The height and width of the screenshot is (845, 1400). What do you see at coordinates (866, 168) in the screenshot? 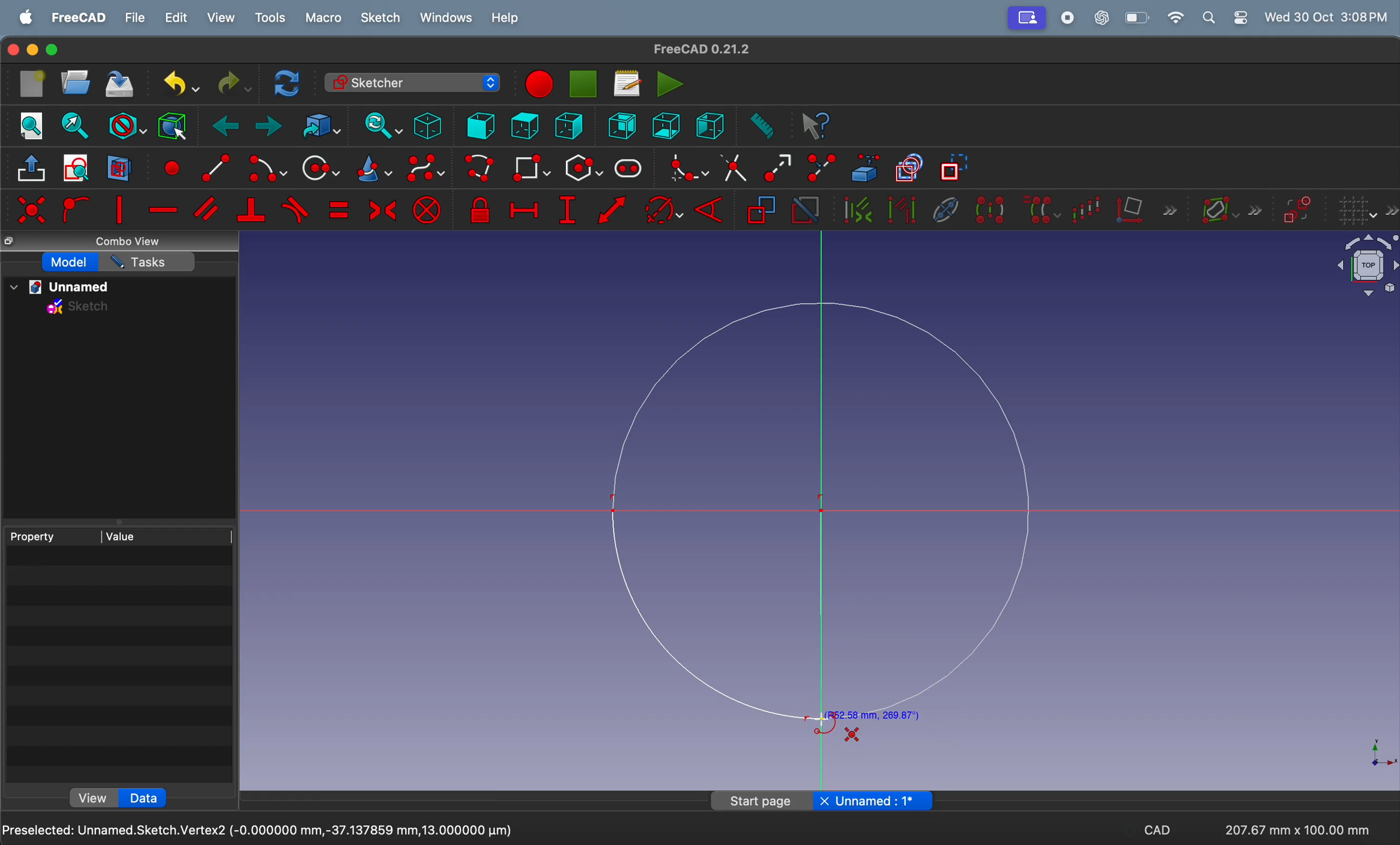
I see `create external geometry` at bounding box center [866, 168].